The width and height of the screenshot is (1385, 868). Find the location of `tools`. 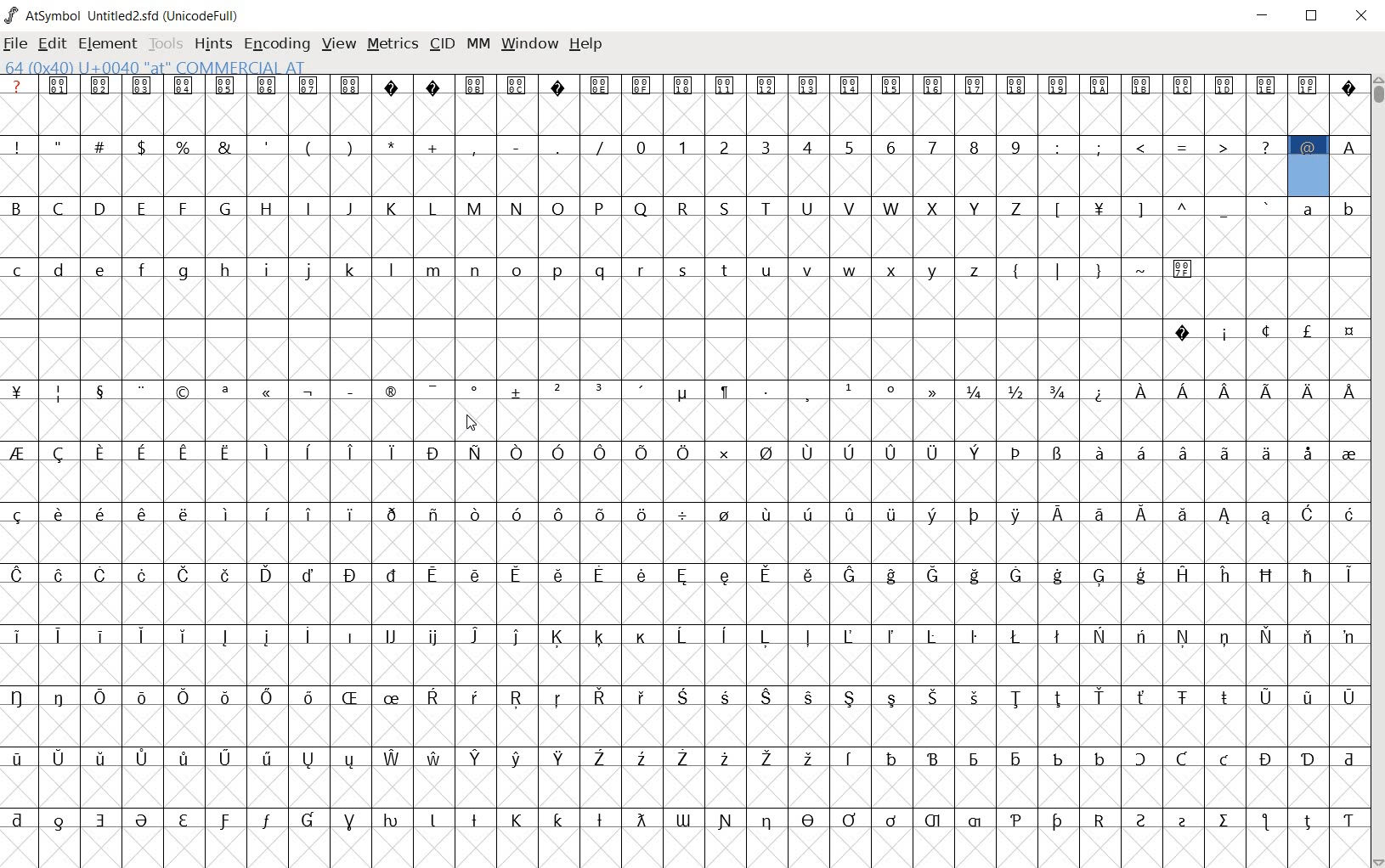

tools is located at coordinates (166, 43).